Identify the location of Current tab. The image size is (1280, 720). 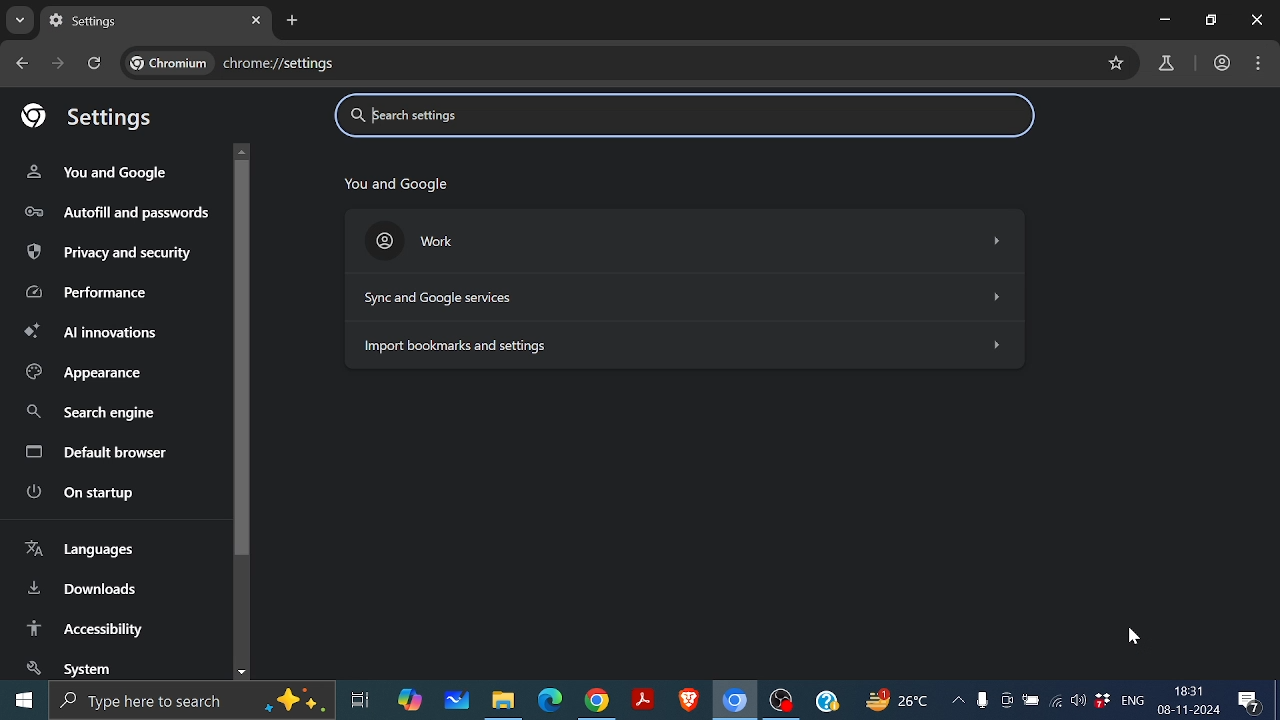
(142, 21).